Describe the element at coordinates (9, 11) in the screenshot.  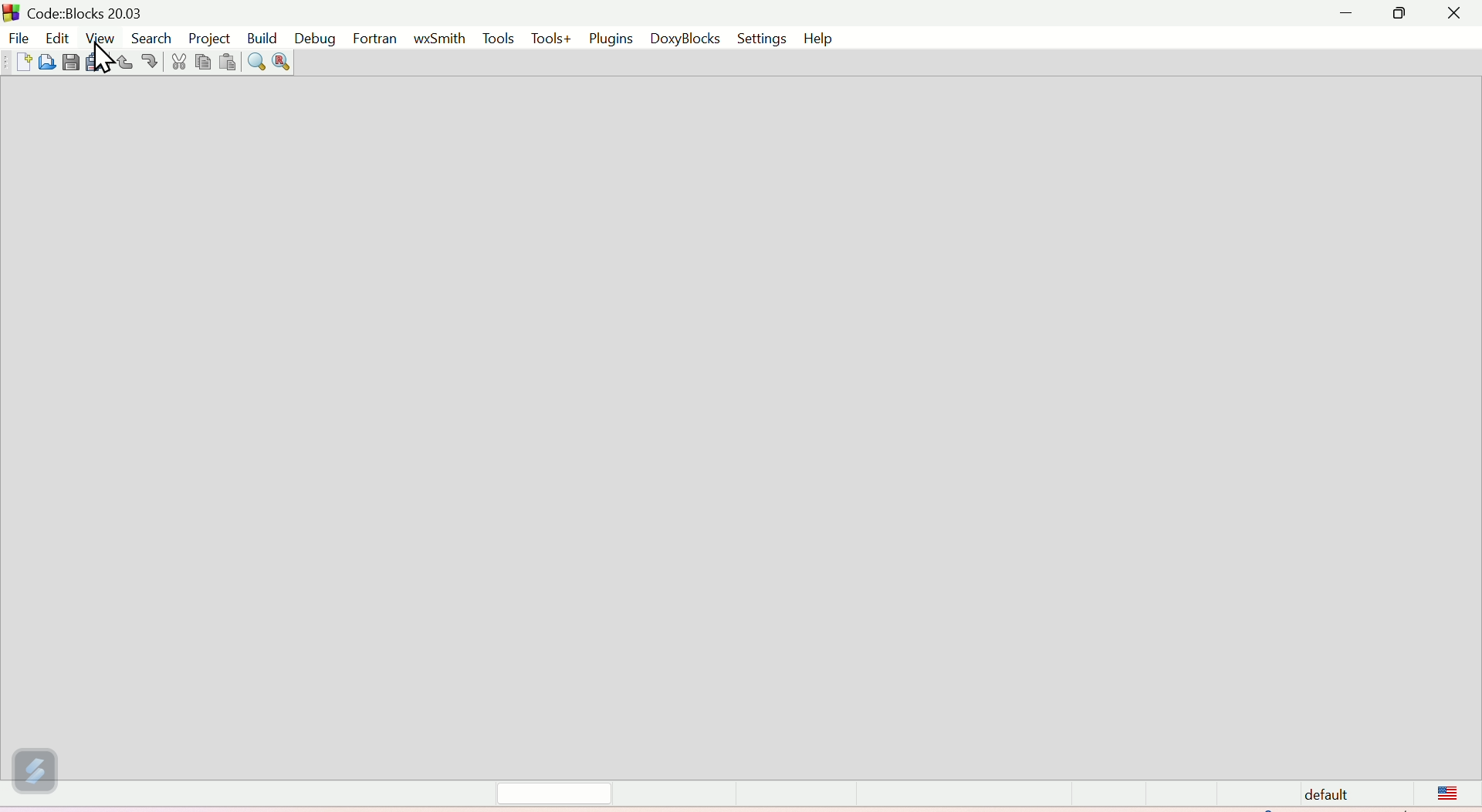
I see `` at that location.